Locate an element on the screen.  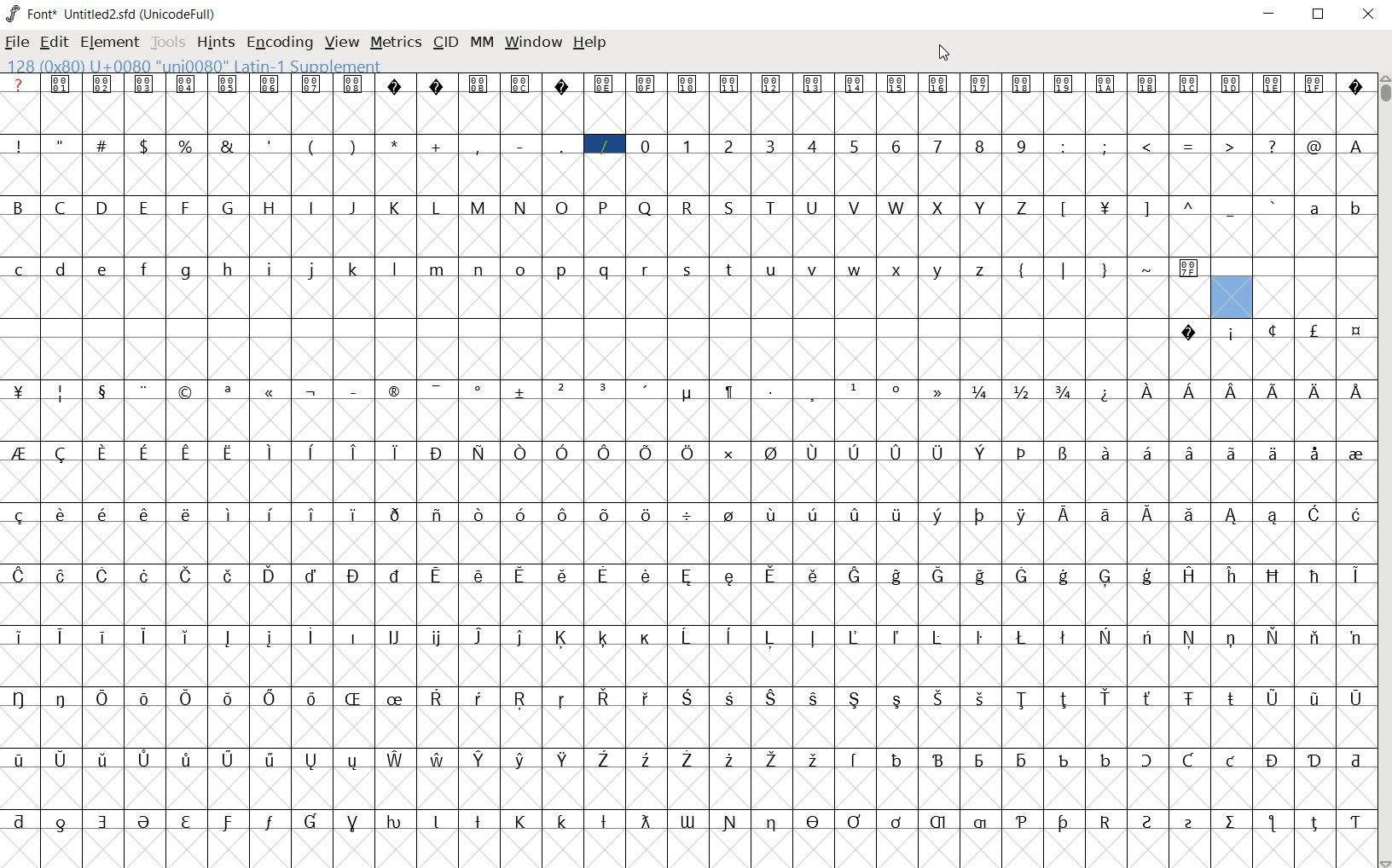
glyph is located at coordinates (102, 576).